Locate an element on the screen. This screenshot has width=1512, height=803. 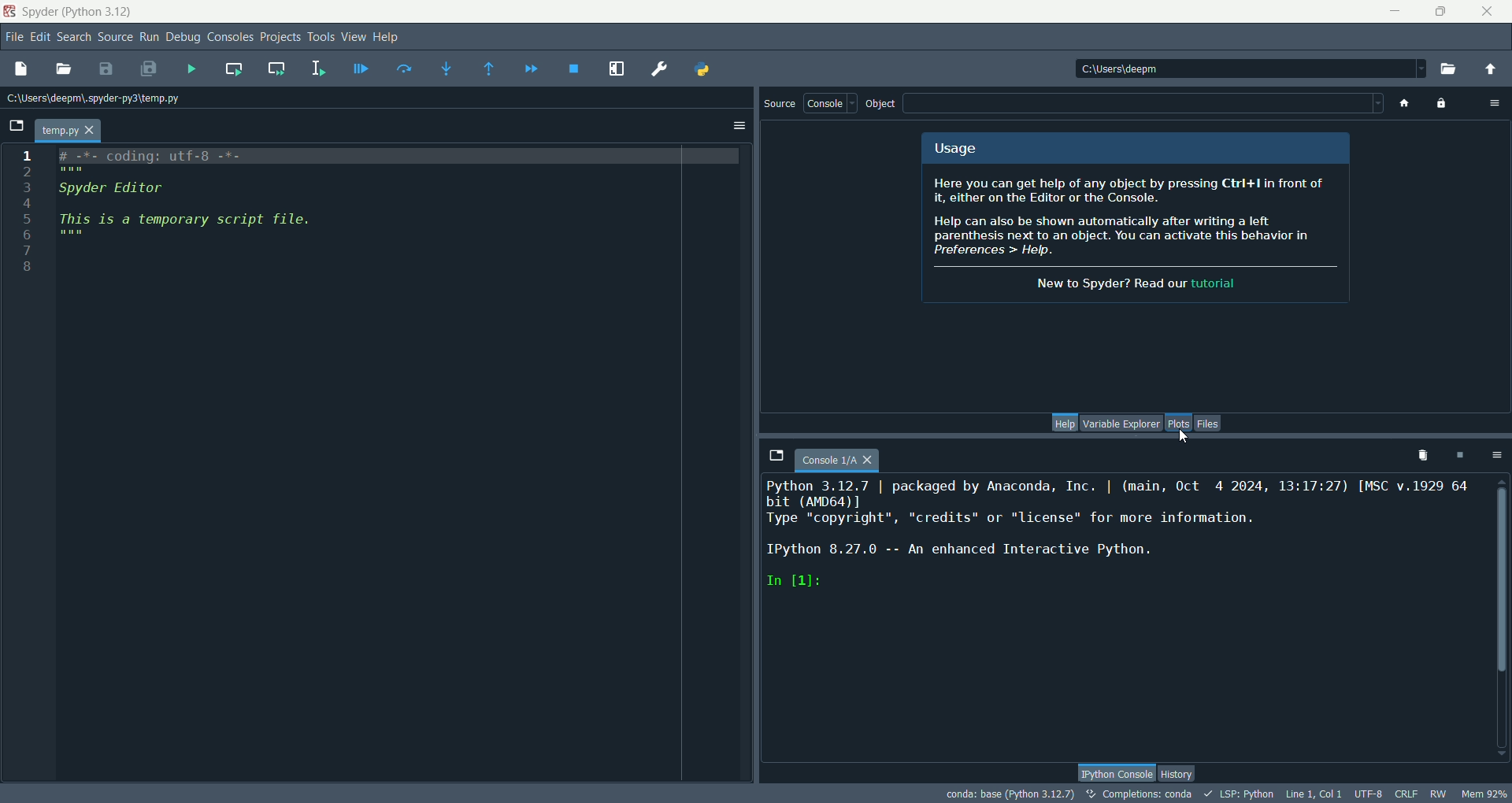
browse tabs is located at coordinates (17, 125).